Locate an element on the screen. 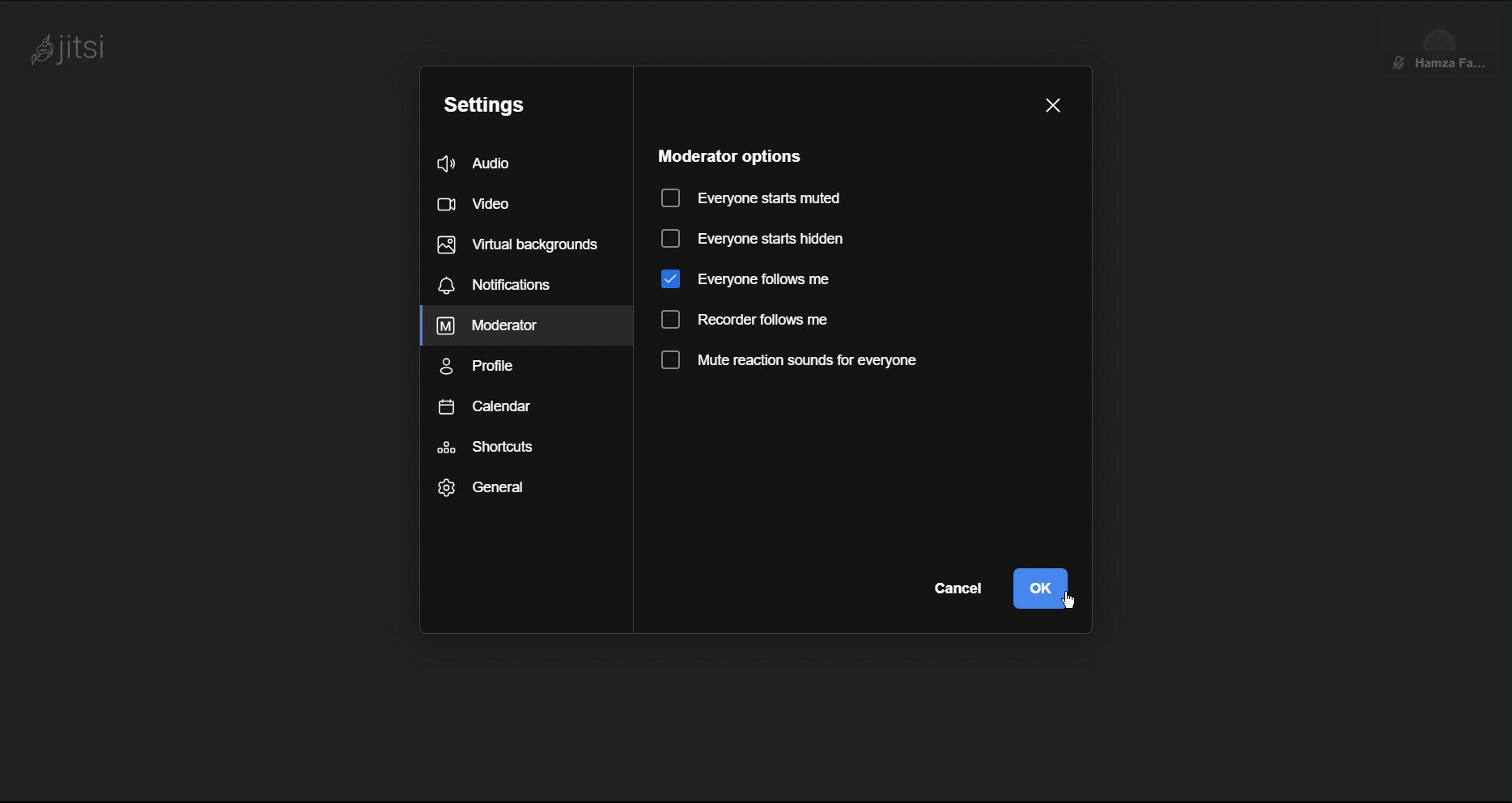 Image resolution: width=1512 pixels, height=803 pixels. General is located at coordinates (484, 486).